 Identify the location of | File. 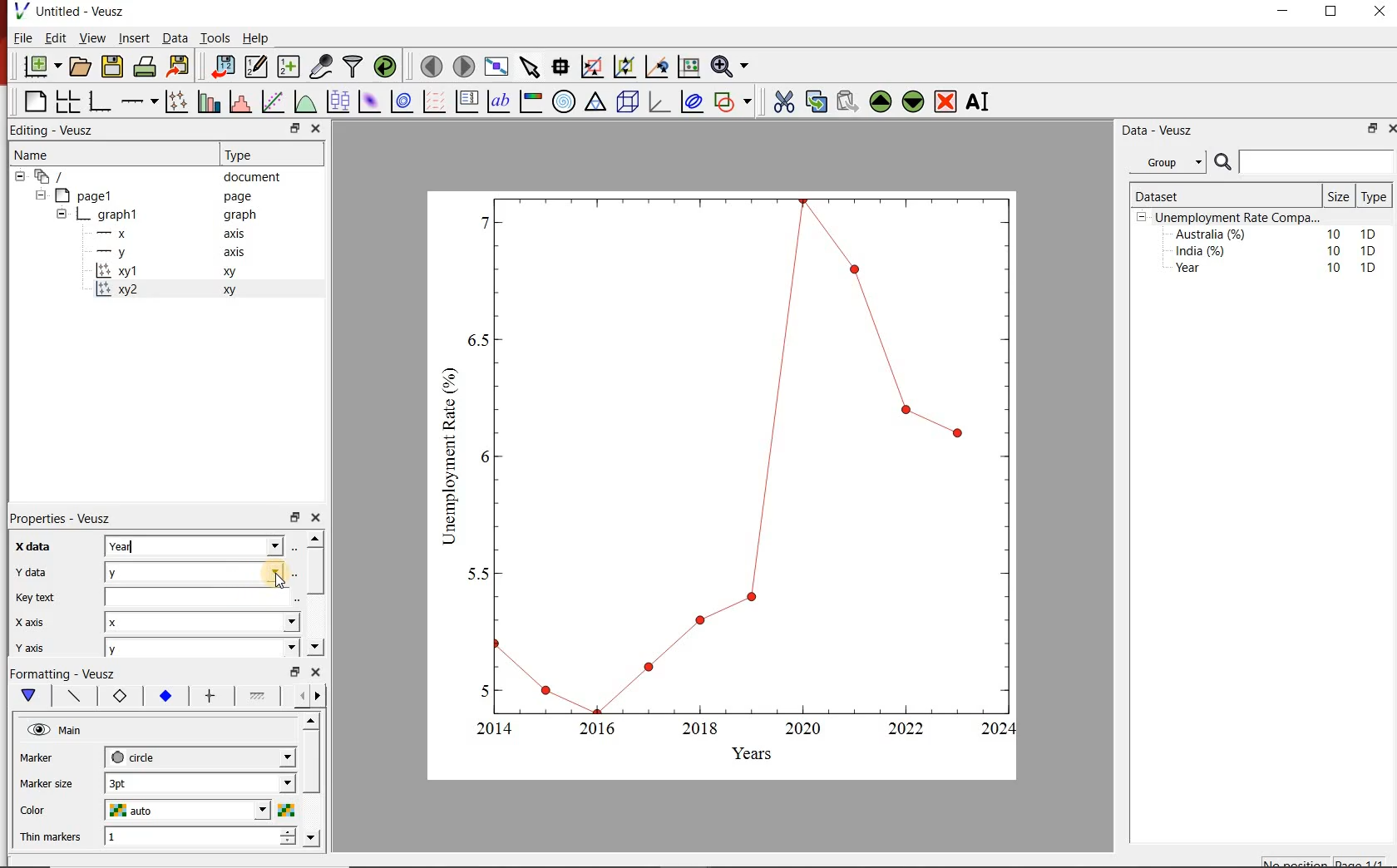
(19, 37).